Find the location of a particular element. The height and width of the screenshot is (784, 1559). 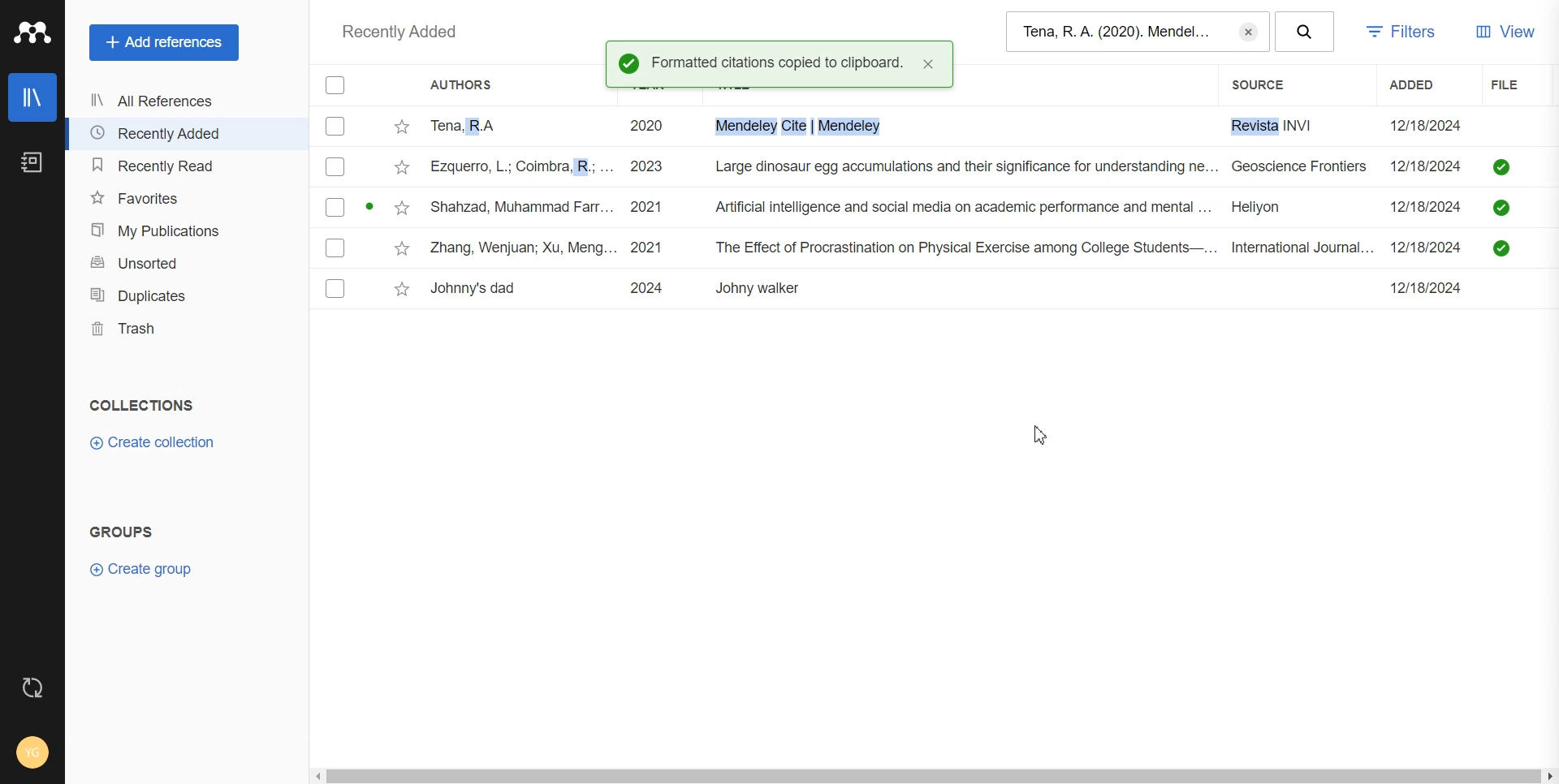

12/18/2024 is located at coordinates (1427, 126).